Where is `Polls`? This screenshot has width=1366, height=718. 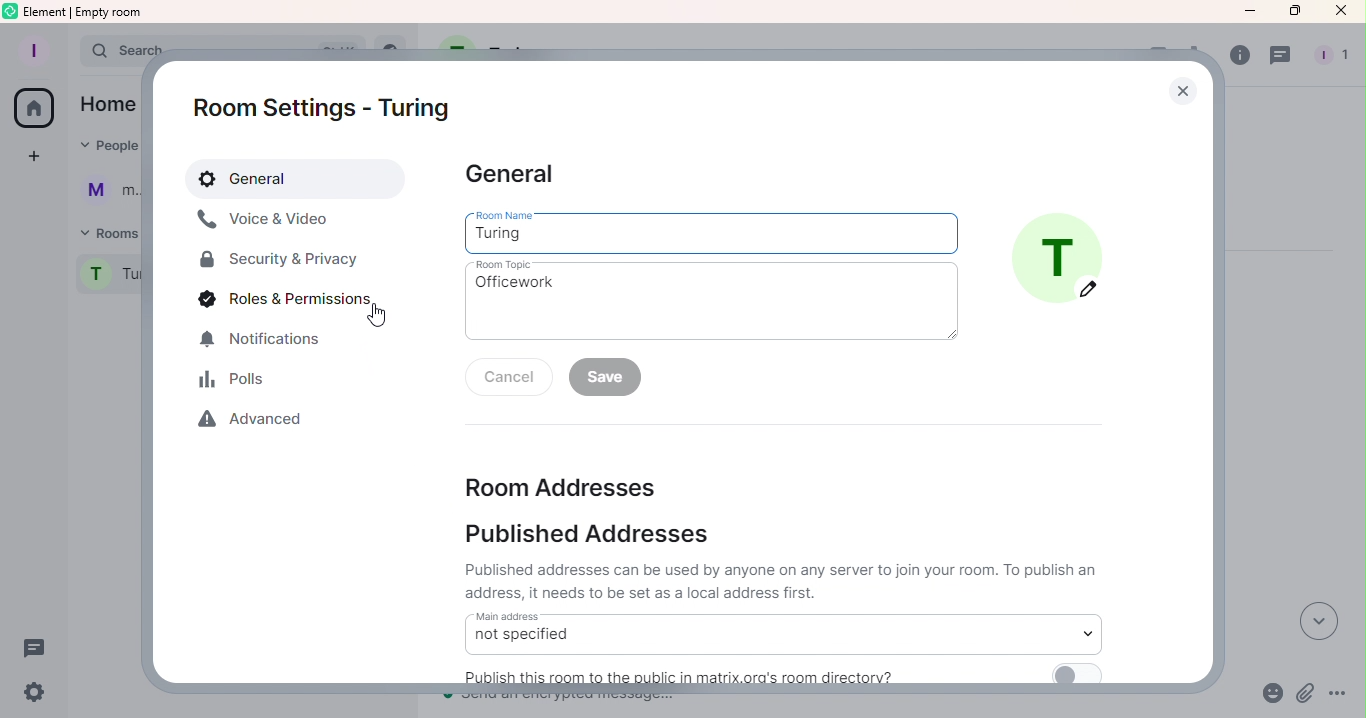
Polls is located at coordinates (237, 382).